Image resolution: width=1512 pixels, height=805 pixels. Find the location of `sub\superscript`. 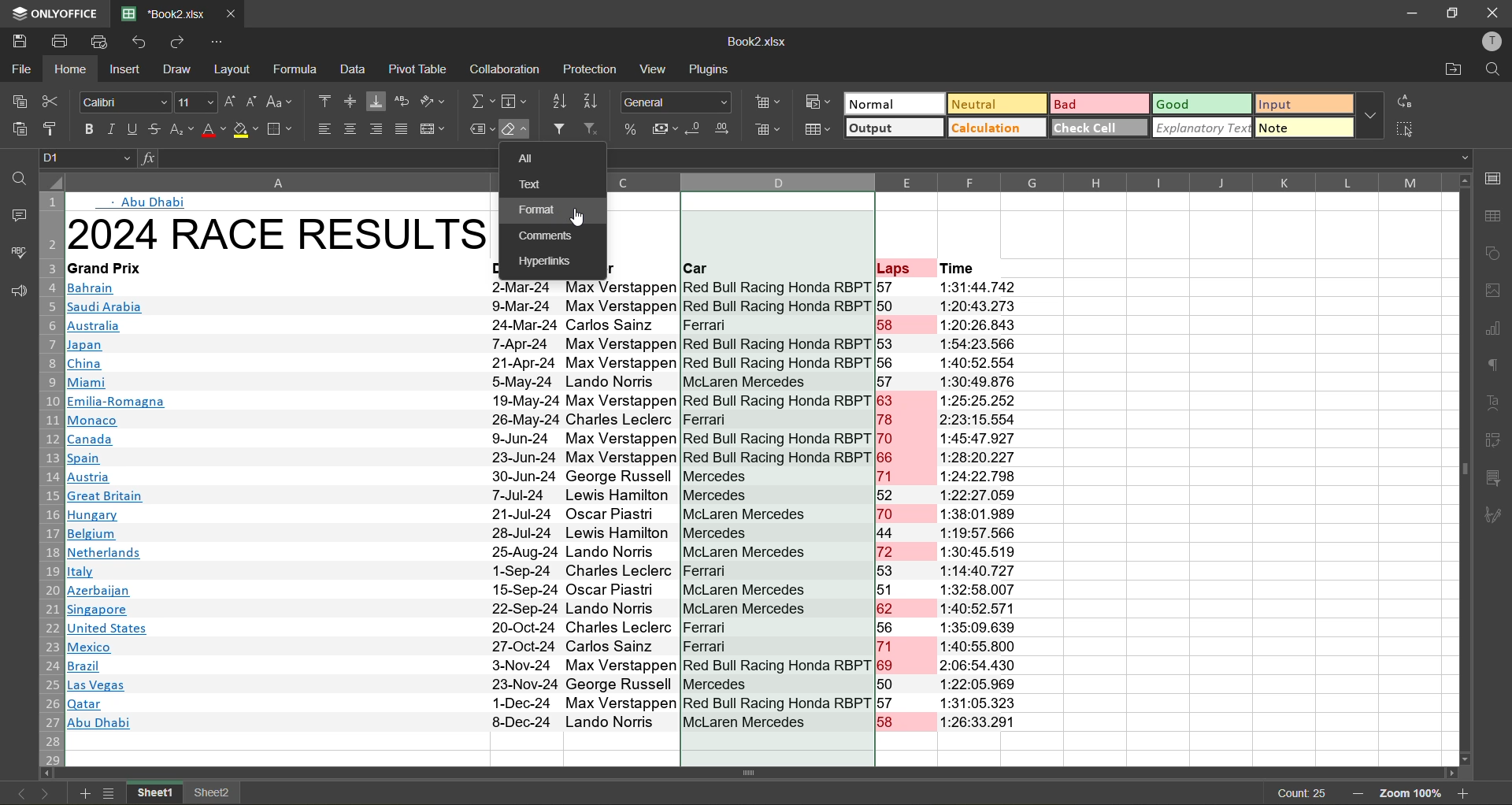

sub\superscript is located at coordinates (182, 128).